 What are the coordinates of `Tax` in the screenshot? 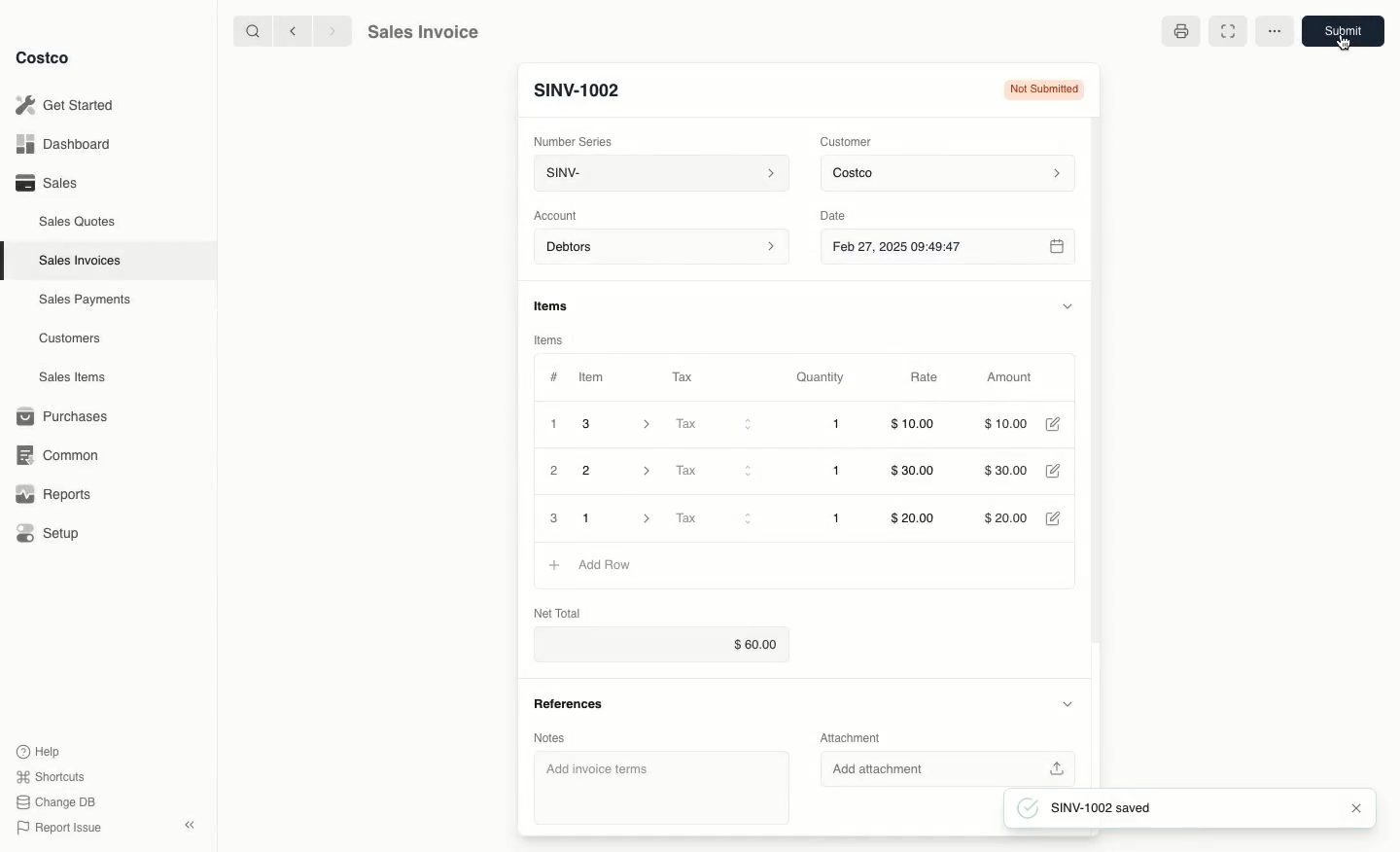 It's located at (712, 471).